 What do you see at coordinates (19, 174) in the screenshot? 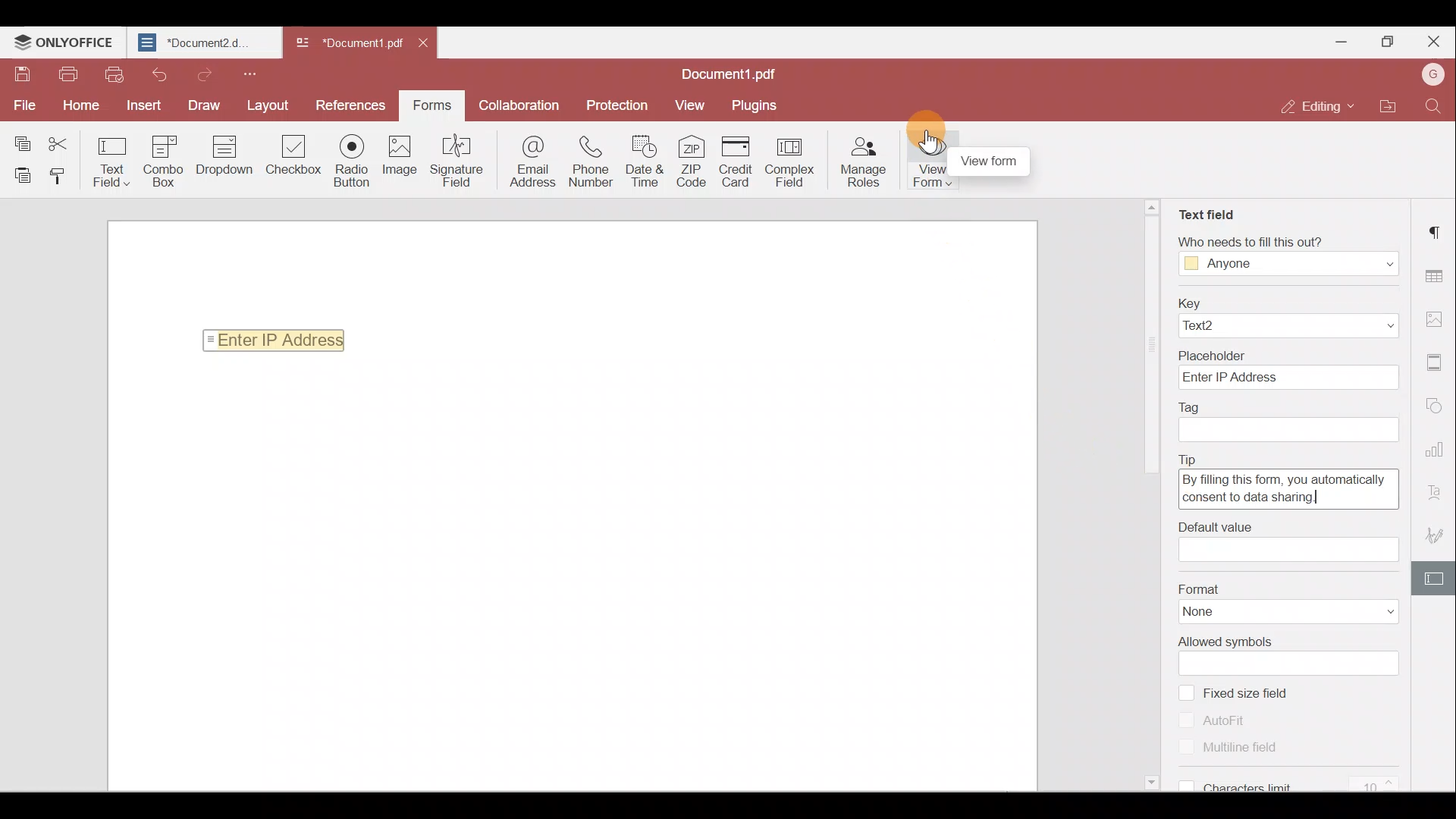
I see `Paste` at bounding box center [19, 174].